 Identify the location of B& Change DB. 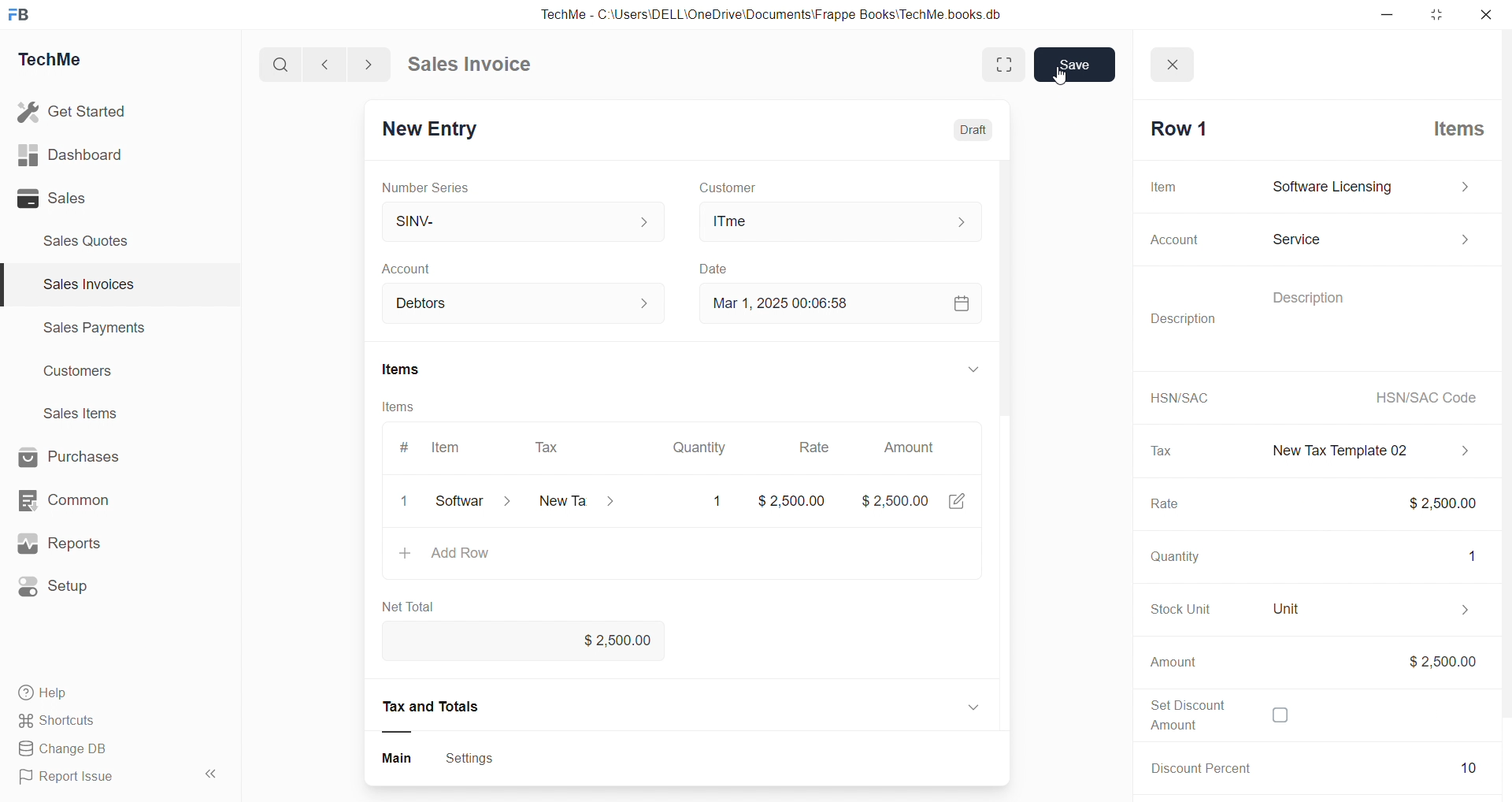
(69, 750).